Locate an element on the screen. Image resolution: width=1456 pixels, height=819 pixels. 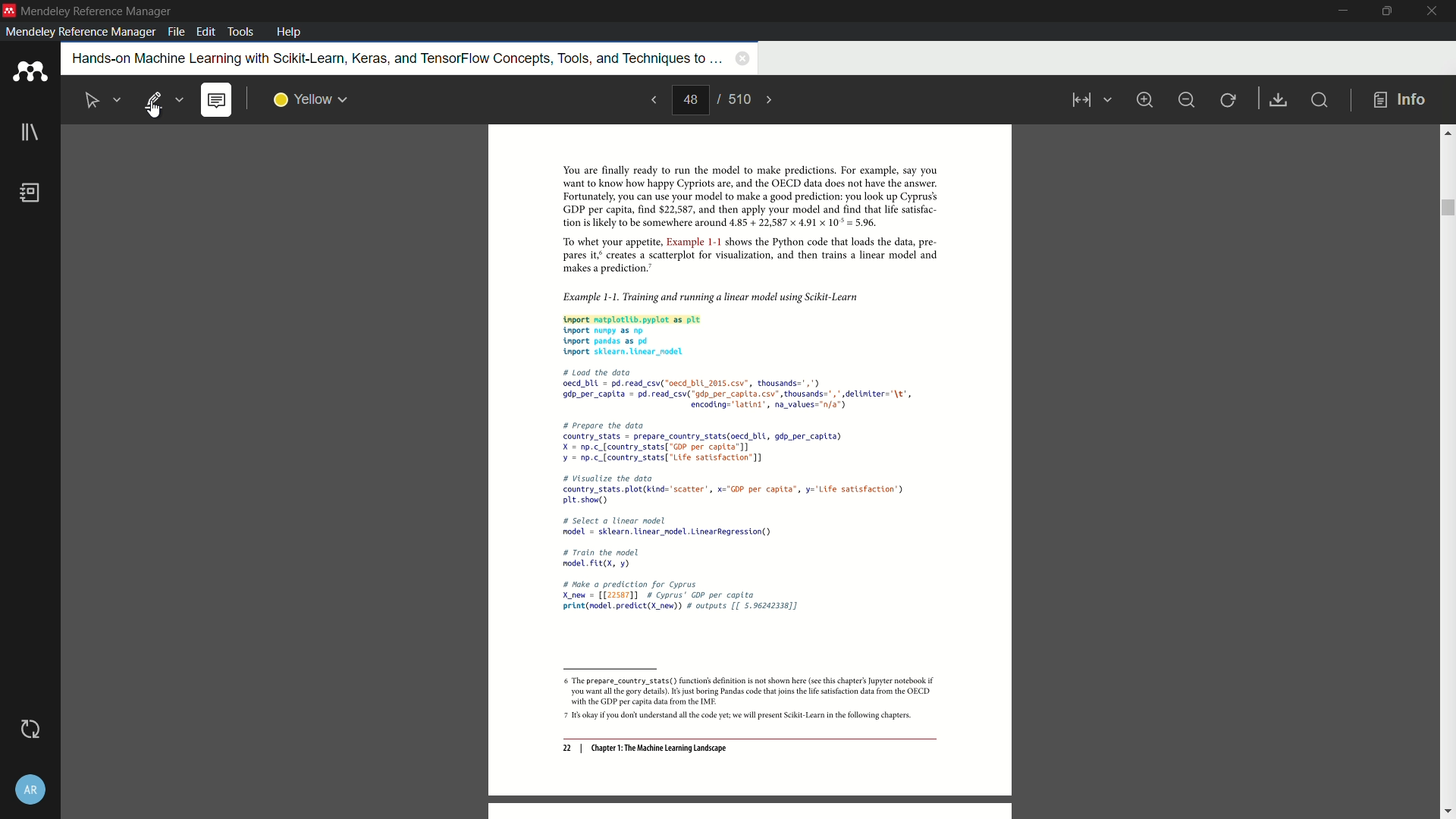
next page is located at coordinates (770, 100).